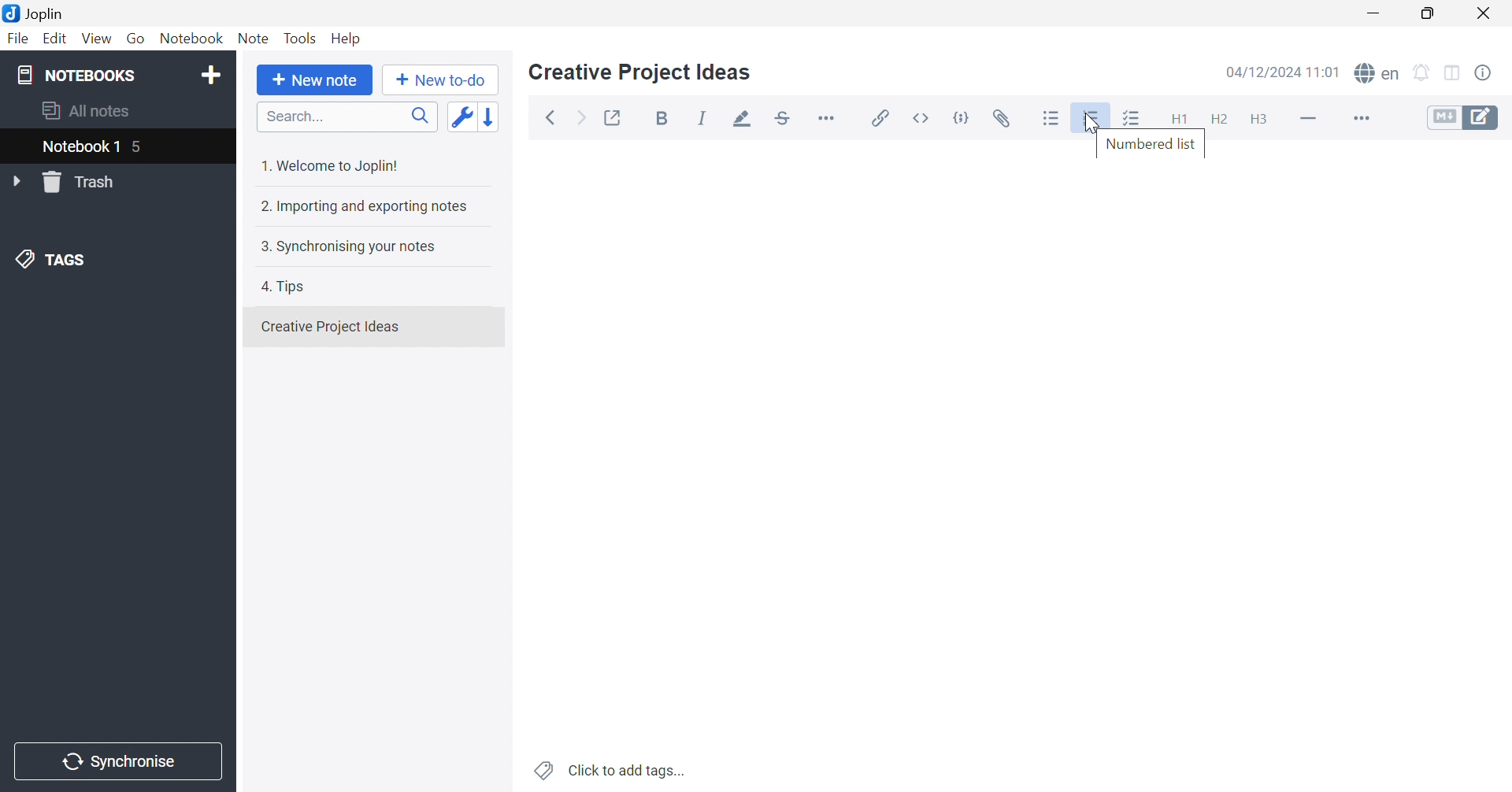  Describe the element at coordinates (95, 39) in the screenshot. I see `View` at that location.